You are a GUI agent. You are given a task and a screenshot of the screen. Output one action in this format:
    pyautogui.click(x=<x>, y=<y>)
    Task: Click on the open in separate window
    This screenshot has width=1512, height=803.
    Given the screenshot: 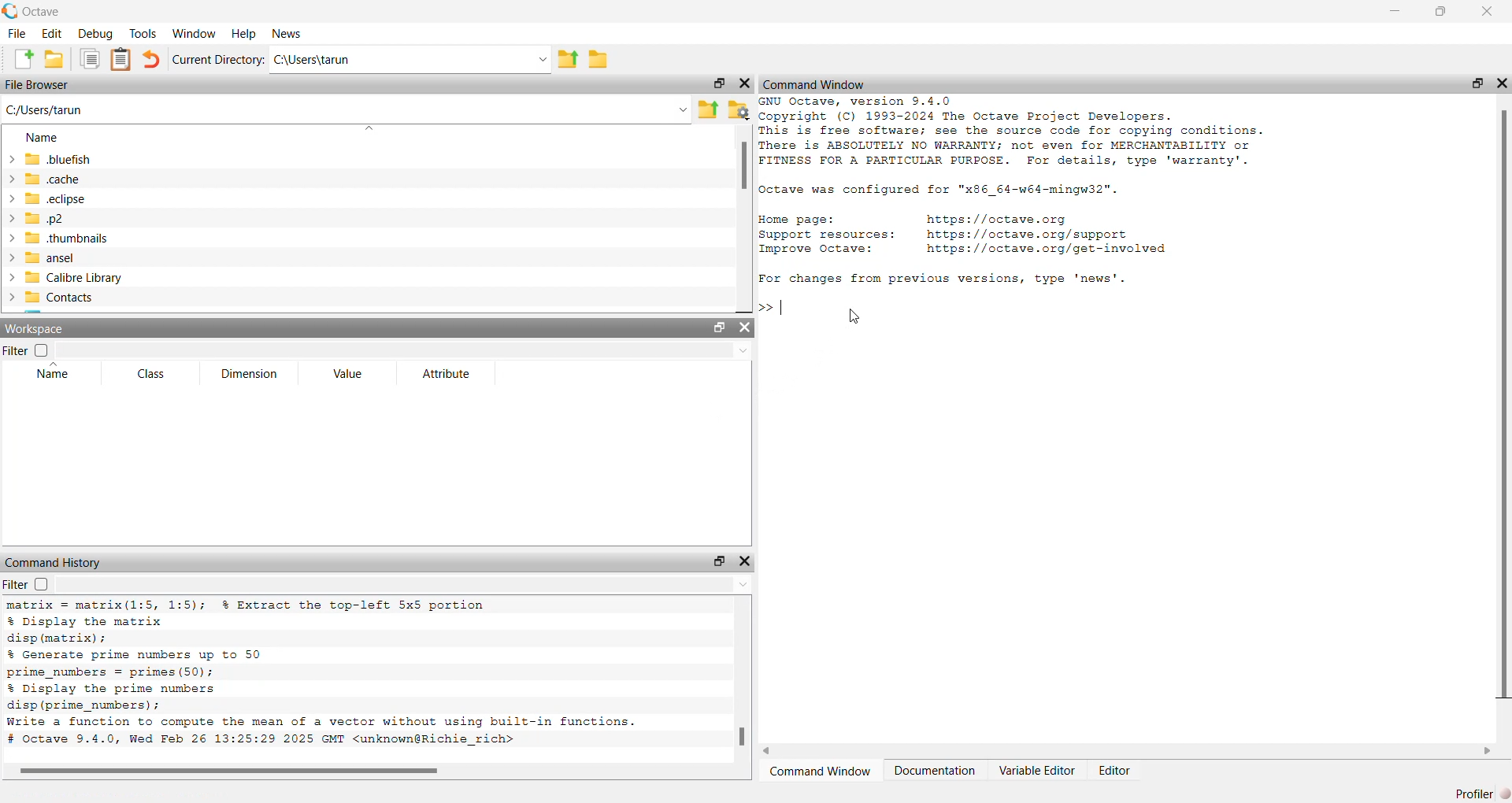 What is the action you would take?
    pyautogui.click(x=1477, y=83)
    